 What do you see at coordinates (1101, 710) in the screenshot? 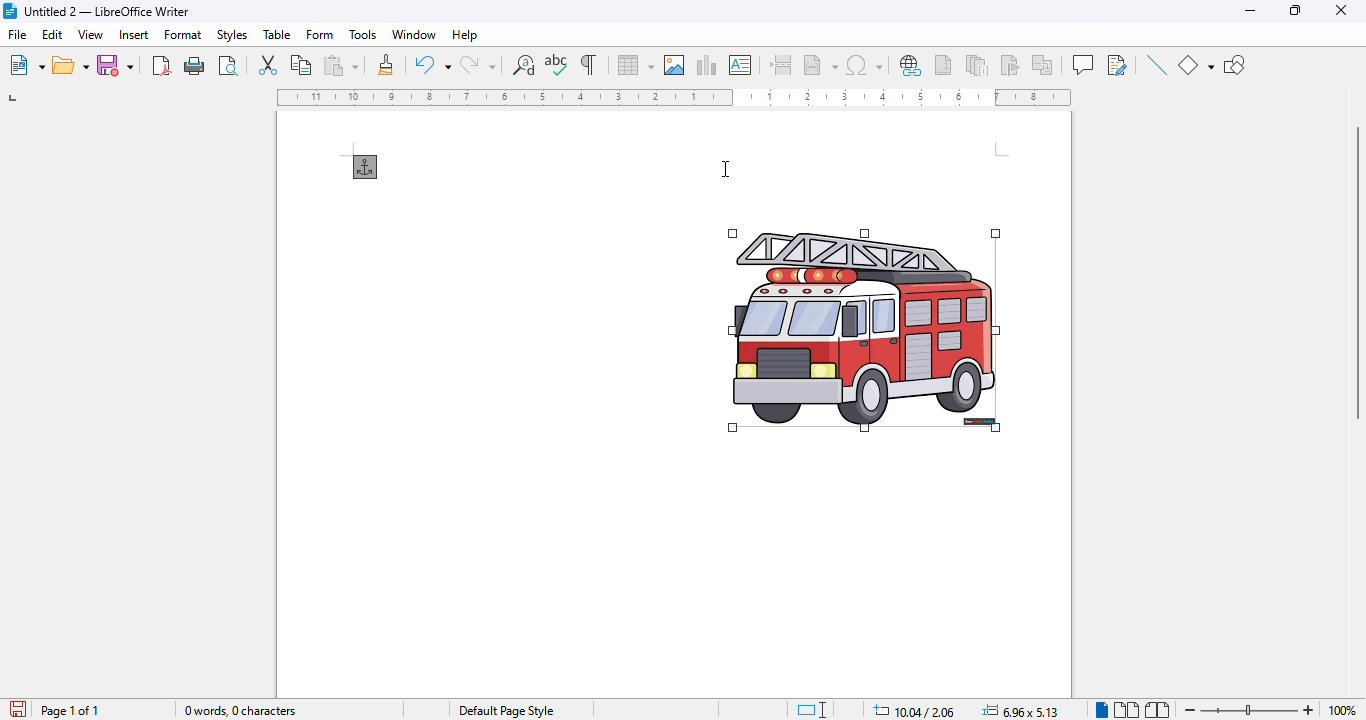
I see `single-page view` at bounding box center [1101, 710].